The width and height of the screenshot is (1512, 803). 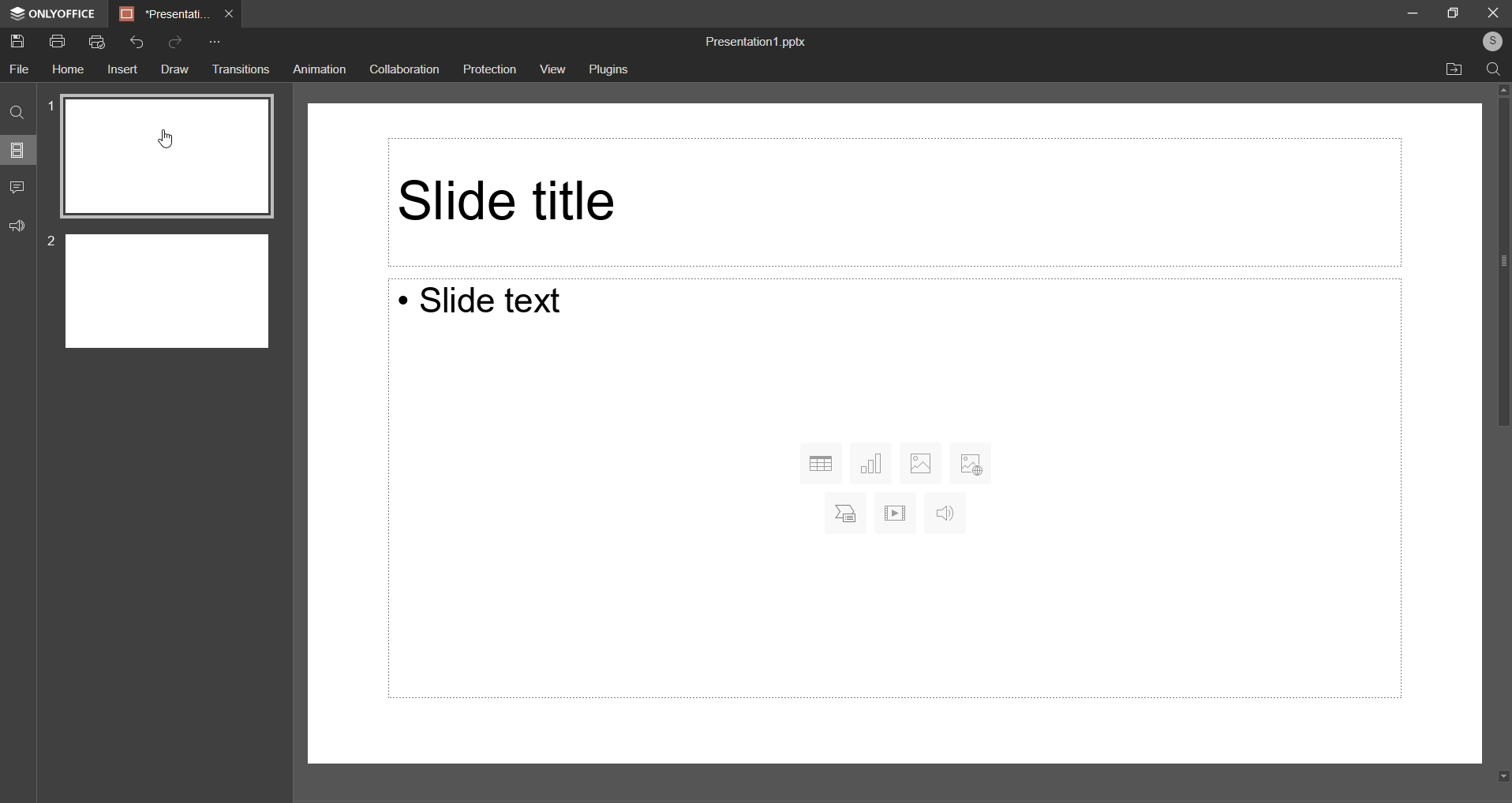 What do you see at coordinates (873, 462) in the screenshot?
I see `Chart` at bounding box center [873, 462].